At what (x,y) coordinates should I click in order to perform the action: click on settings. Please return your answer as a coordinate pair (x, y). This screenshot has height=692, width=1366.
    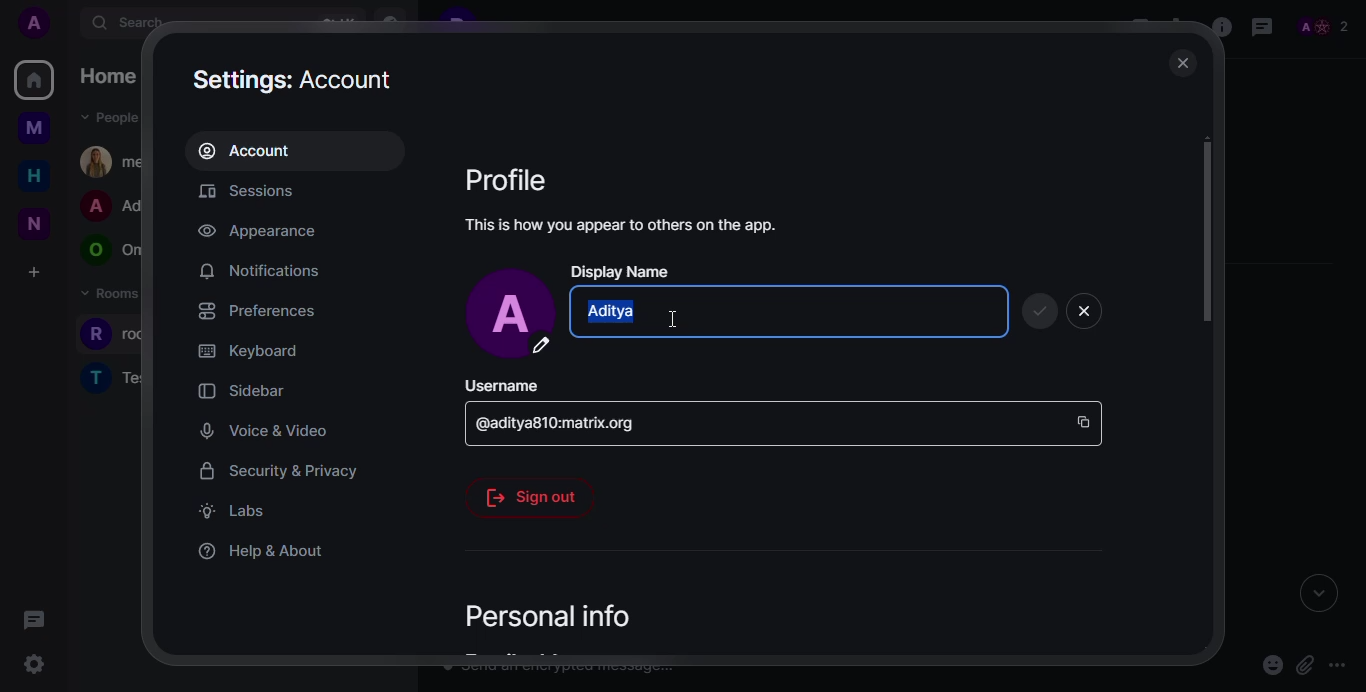
    Looking at the image, I should click on (297, 77).